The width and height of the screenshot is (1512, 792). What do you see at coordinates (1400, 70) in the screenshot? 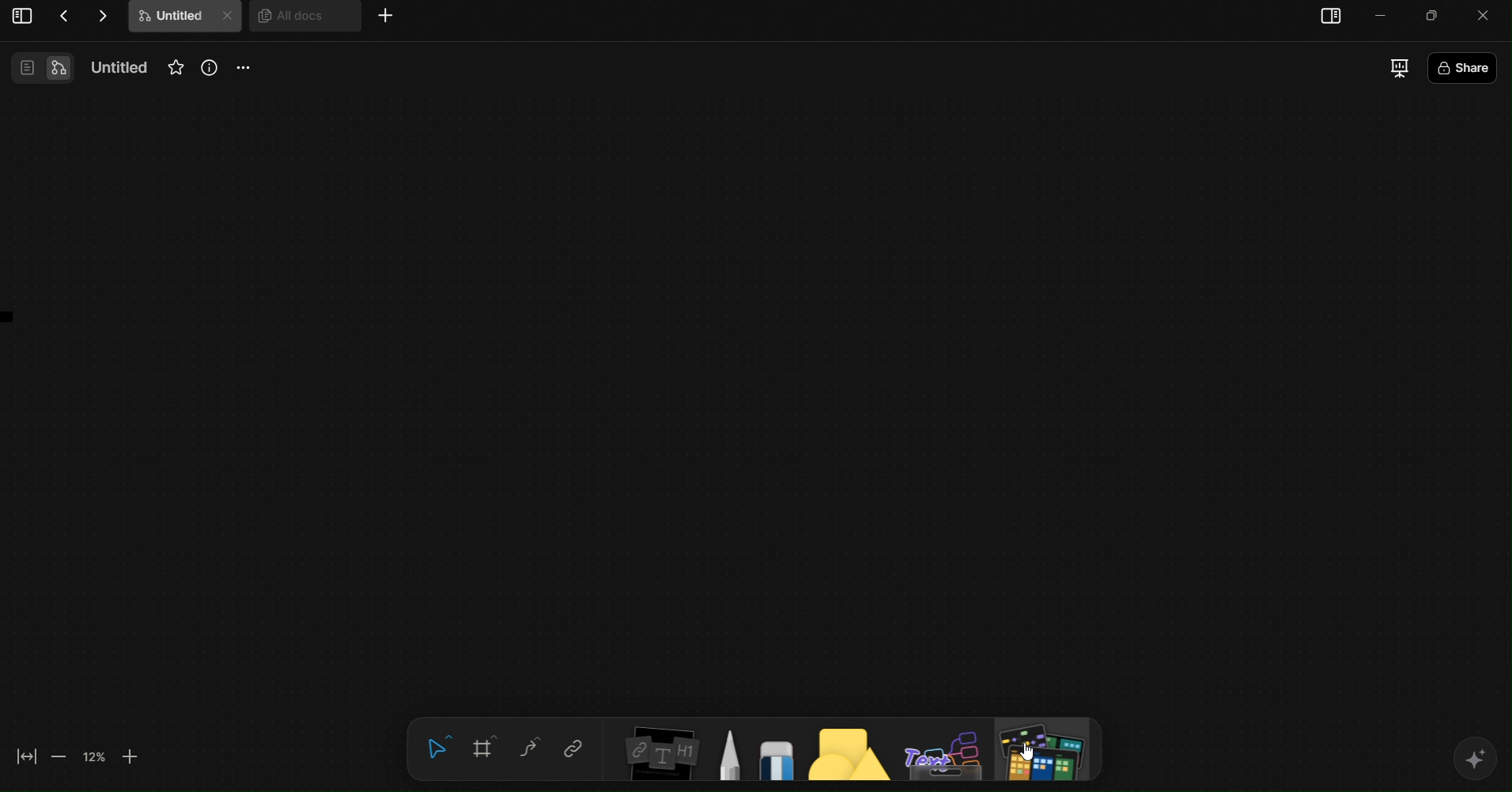
I see `Presentation Mode` at bounding box center [1400, 70].